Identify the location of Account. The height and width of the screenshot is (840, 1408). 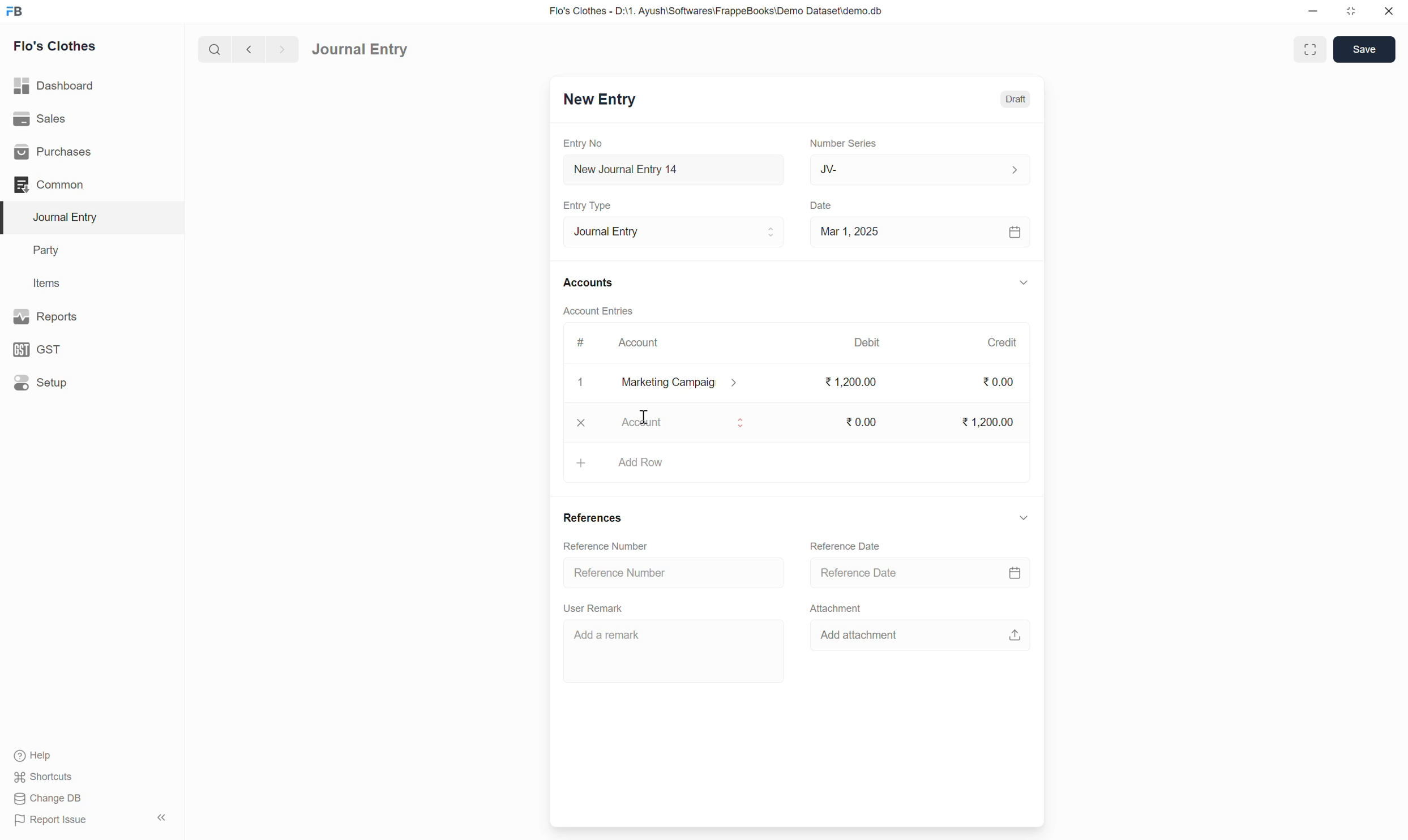
(640, 342).